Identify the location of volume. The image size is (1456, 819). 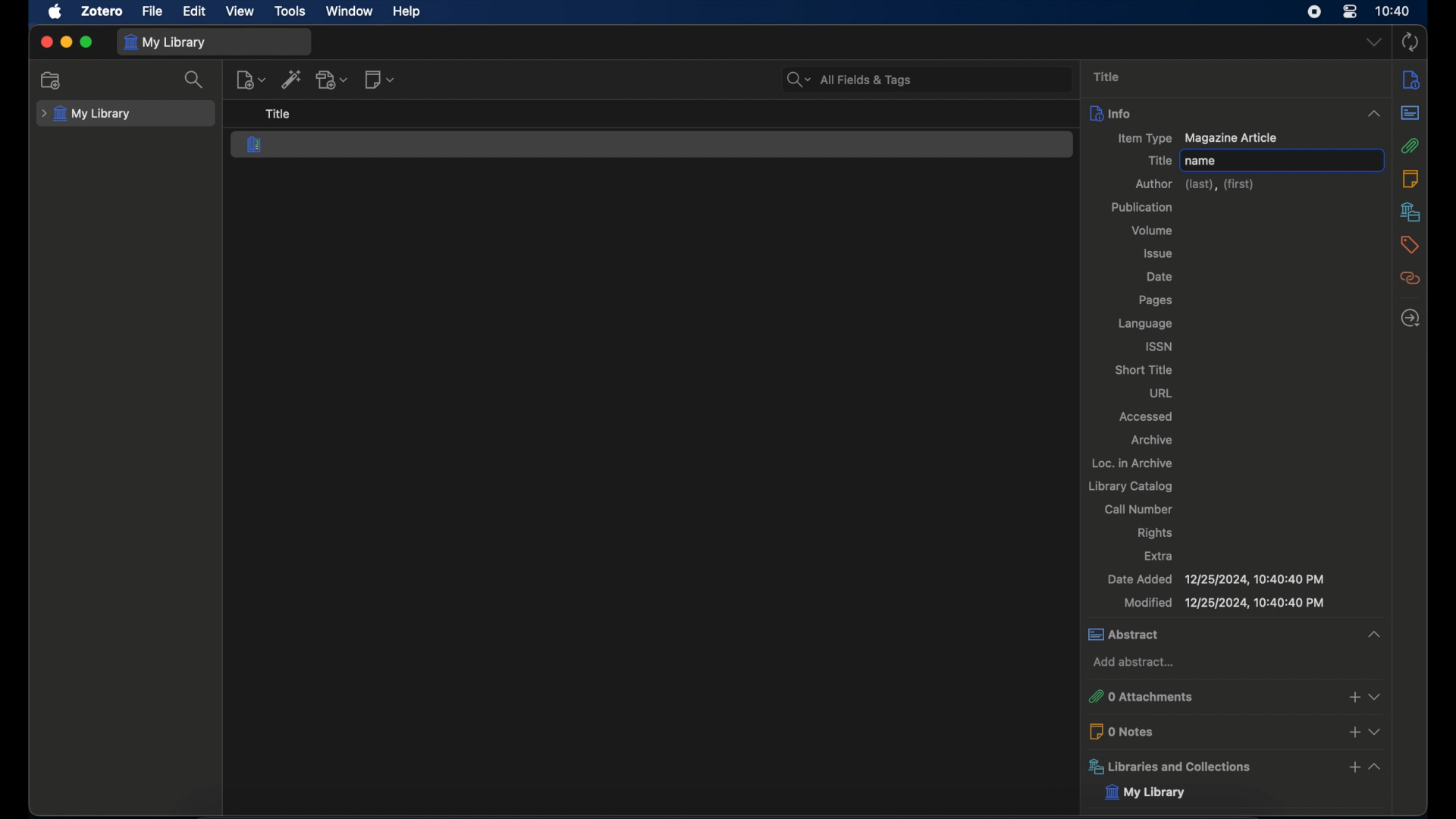
(1152, 231).